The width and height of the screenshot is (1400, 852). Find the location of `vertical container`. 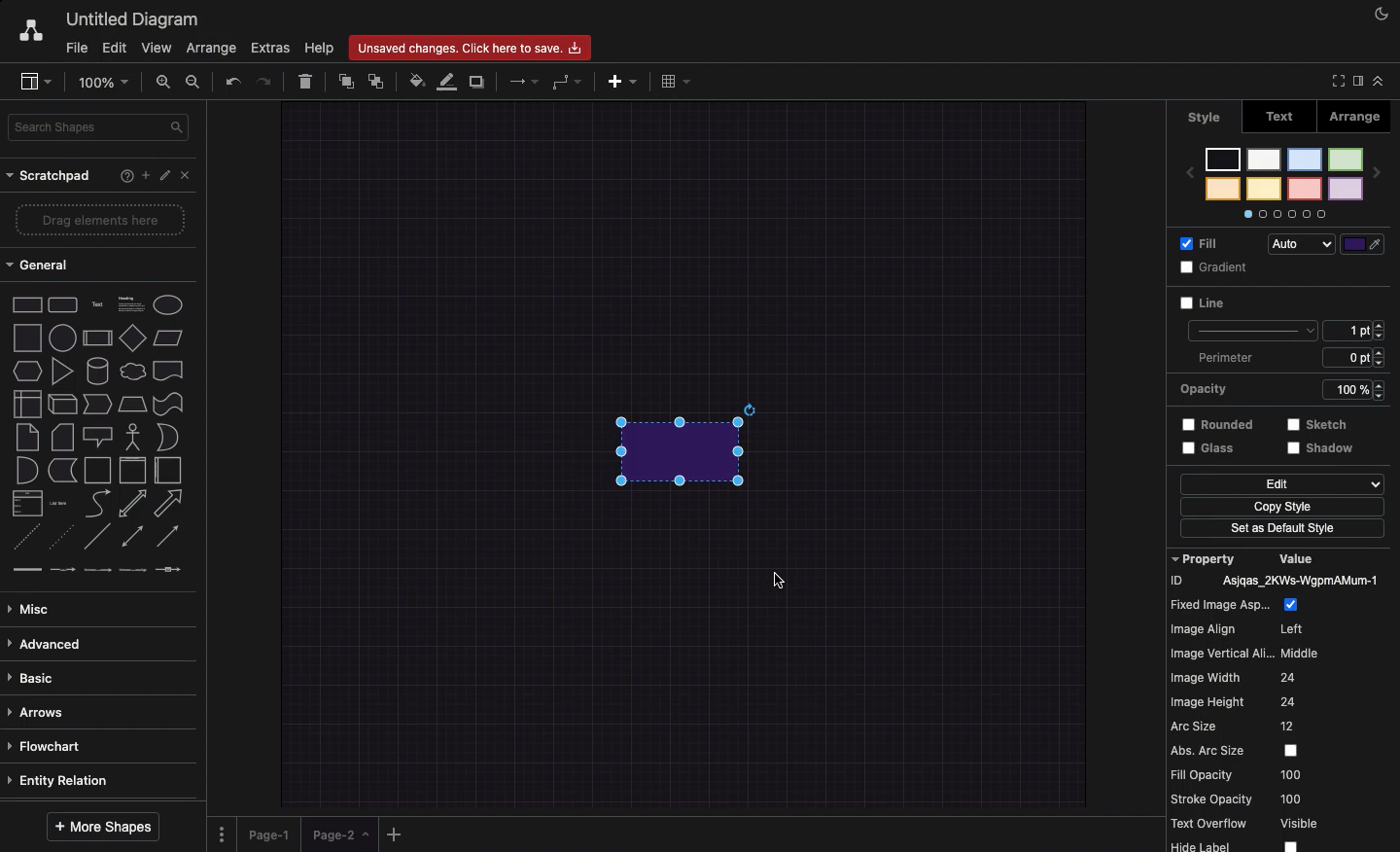

vertical container is located at coordinates (131, 471).